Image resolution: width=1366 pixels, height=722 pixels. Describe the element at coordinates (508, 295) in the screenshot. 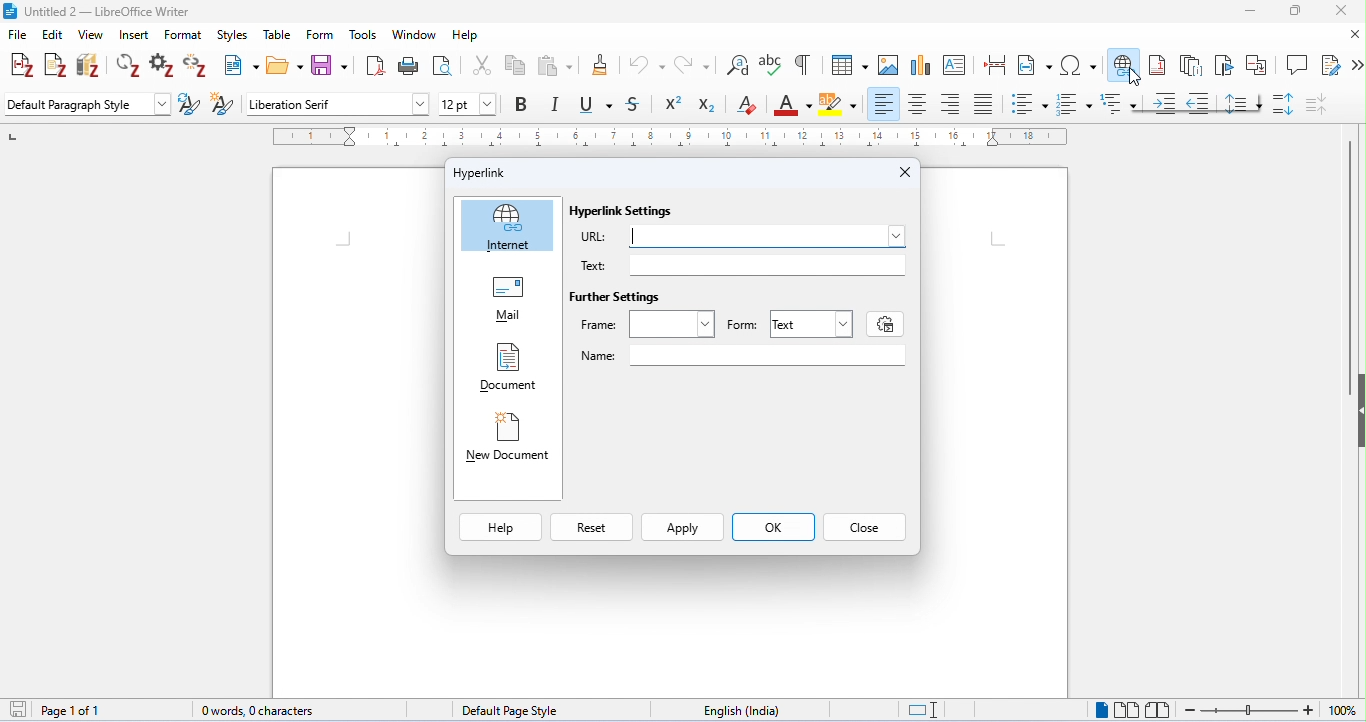

I see `Mail` at that location.